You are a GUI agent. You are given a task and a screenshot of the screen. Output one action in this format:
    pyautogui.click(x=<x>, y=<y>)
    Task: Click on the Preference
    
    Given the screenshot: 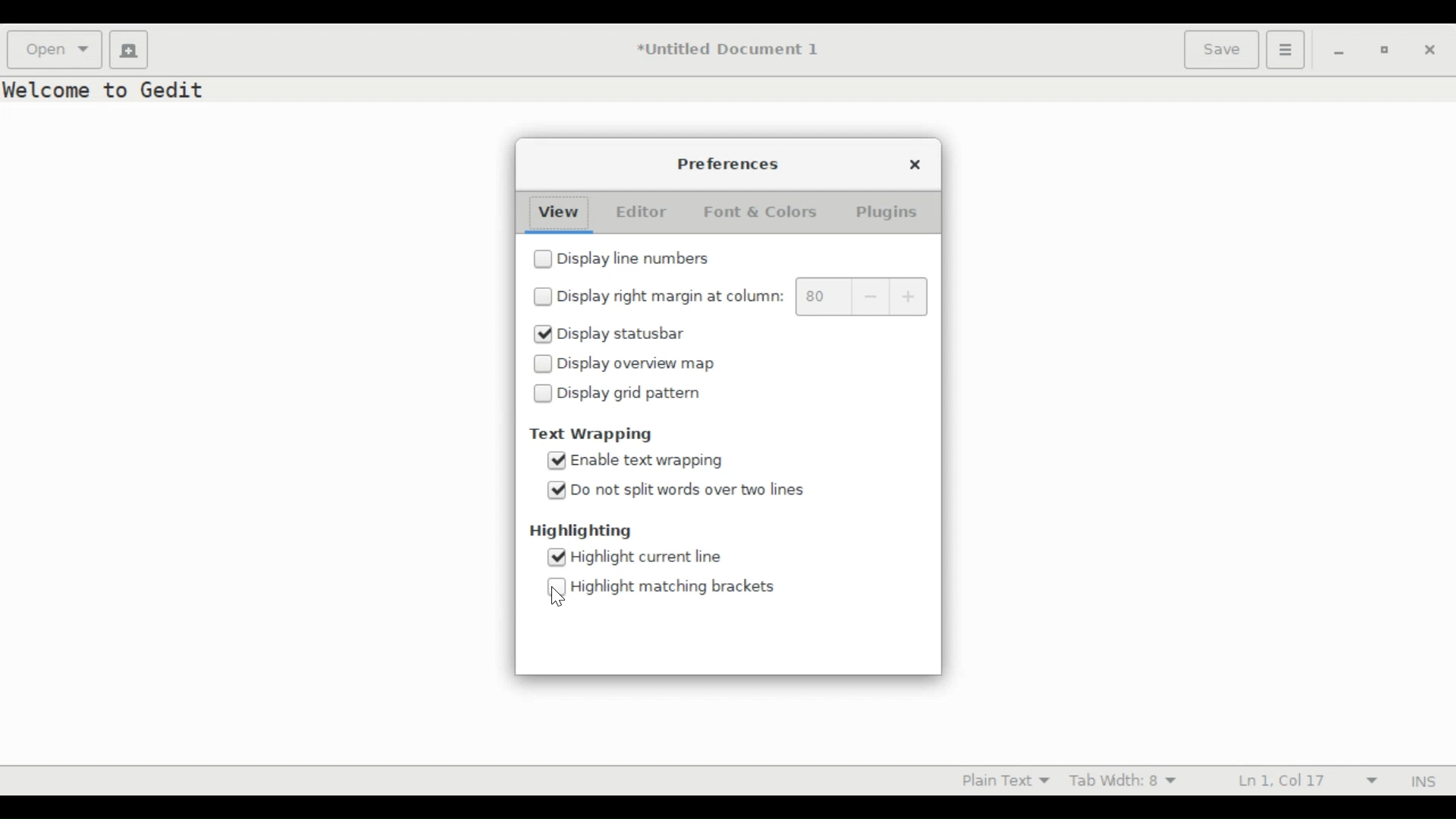 What is the action you would take?
    pyautogui.click(x=733, y=165)
    